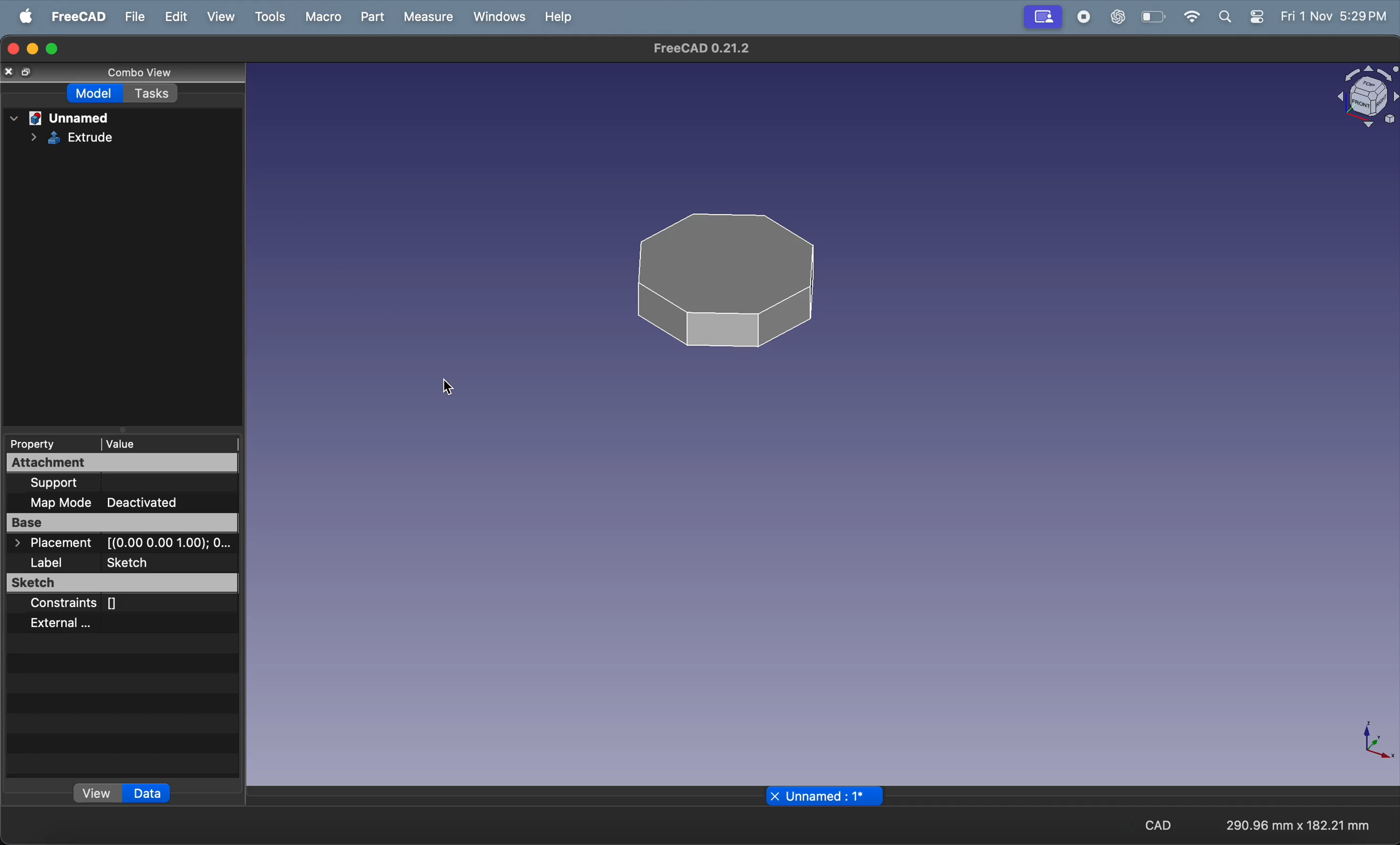  I want to click on 3 D polygon, so click(728, 277).